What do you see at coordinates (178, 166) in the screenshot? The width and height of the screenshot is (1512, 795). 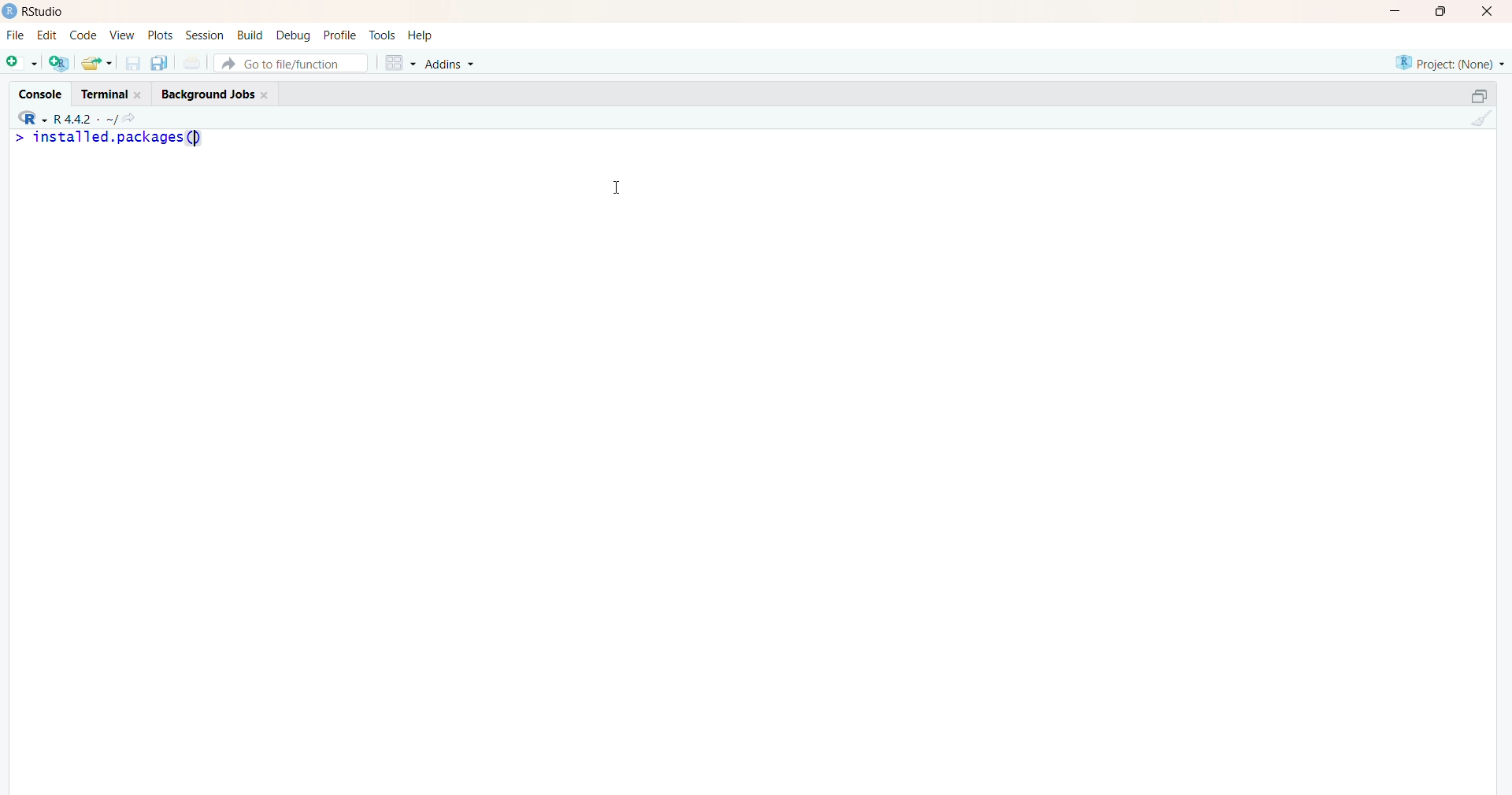 I see `>console log` at bounding box center [178, 166].